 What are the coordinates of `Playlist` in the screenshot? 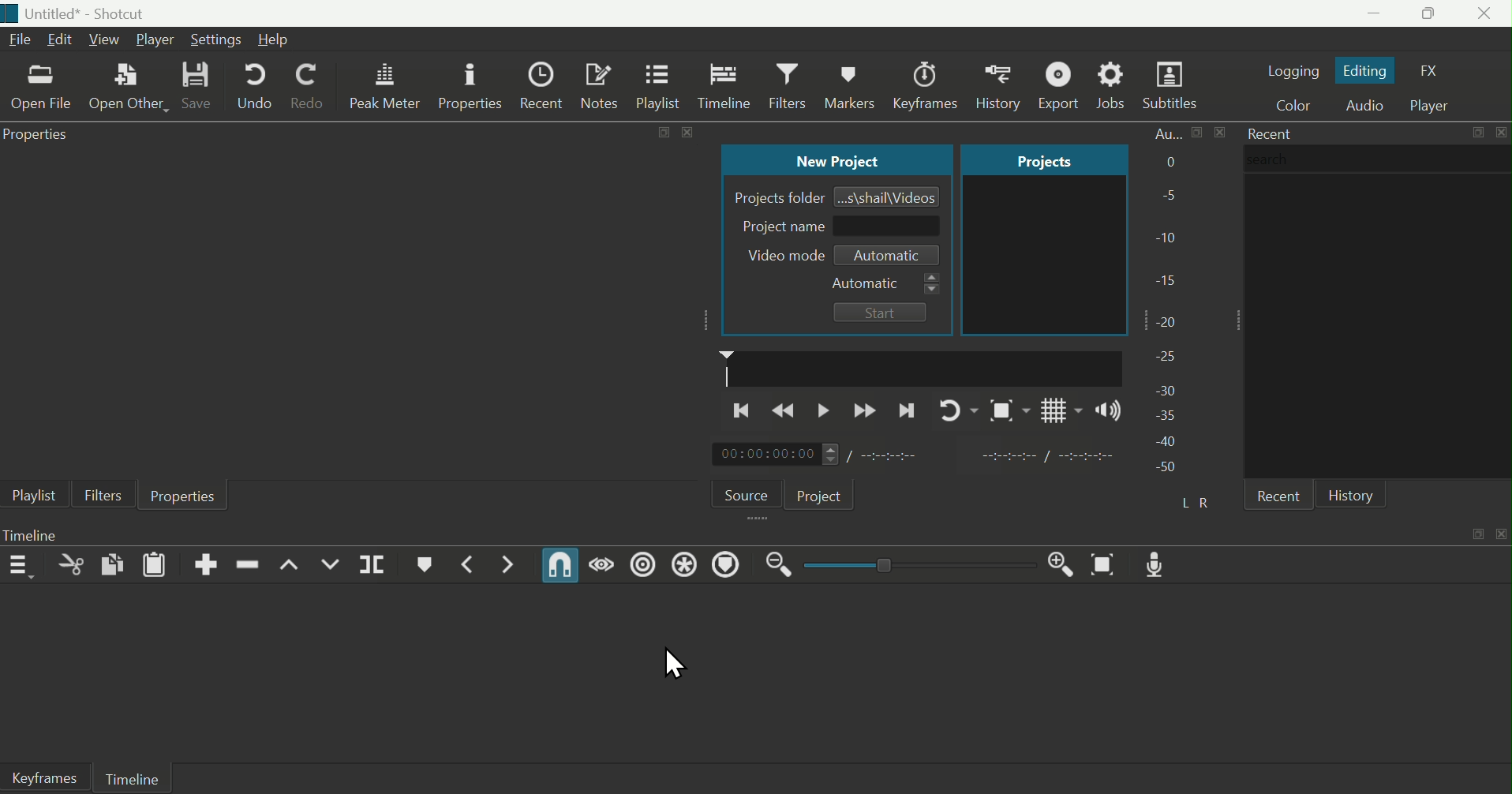 It's located at (661, 87).